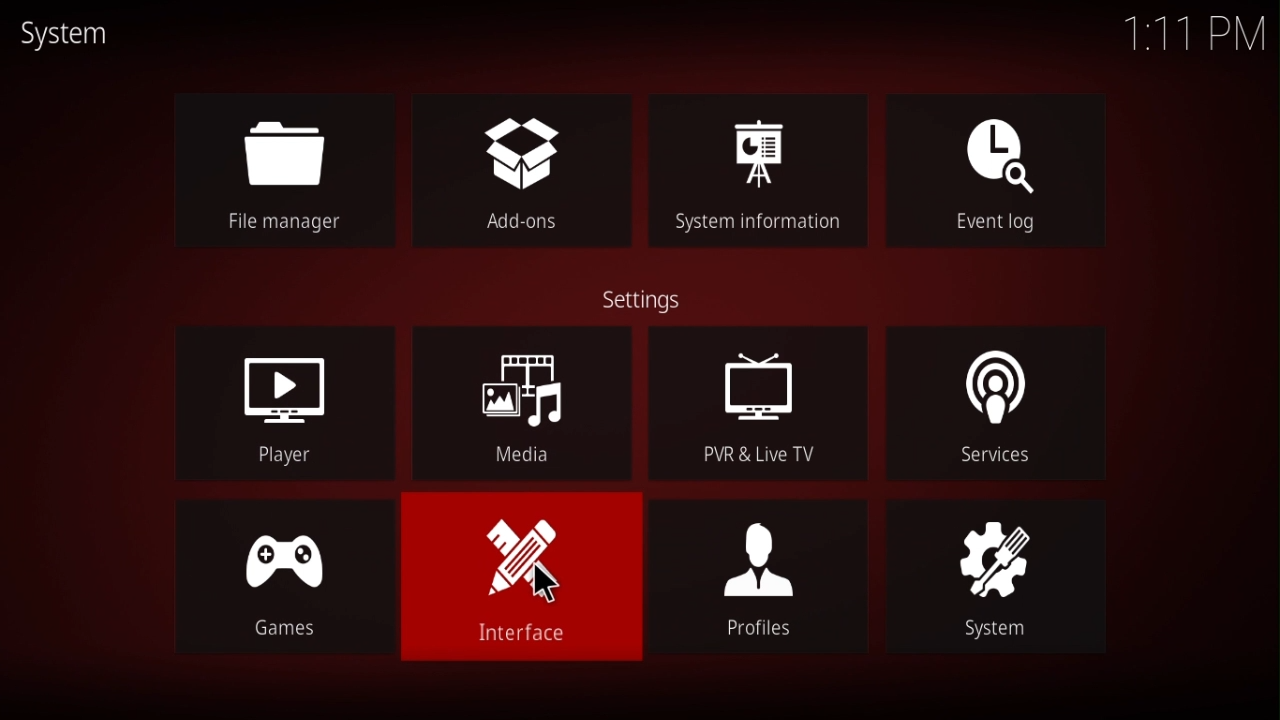 The width and height of the screenshot is (1280, 720). I want to click on profiles, so click(769, 590).